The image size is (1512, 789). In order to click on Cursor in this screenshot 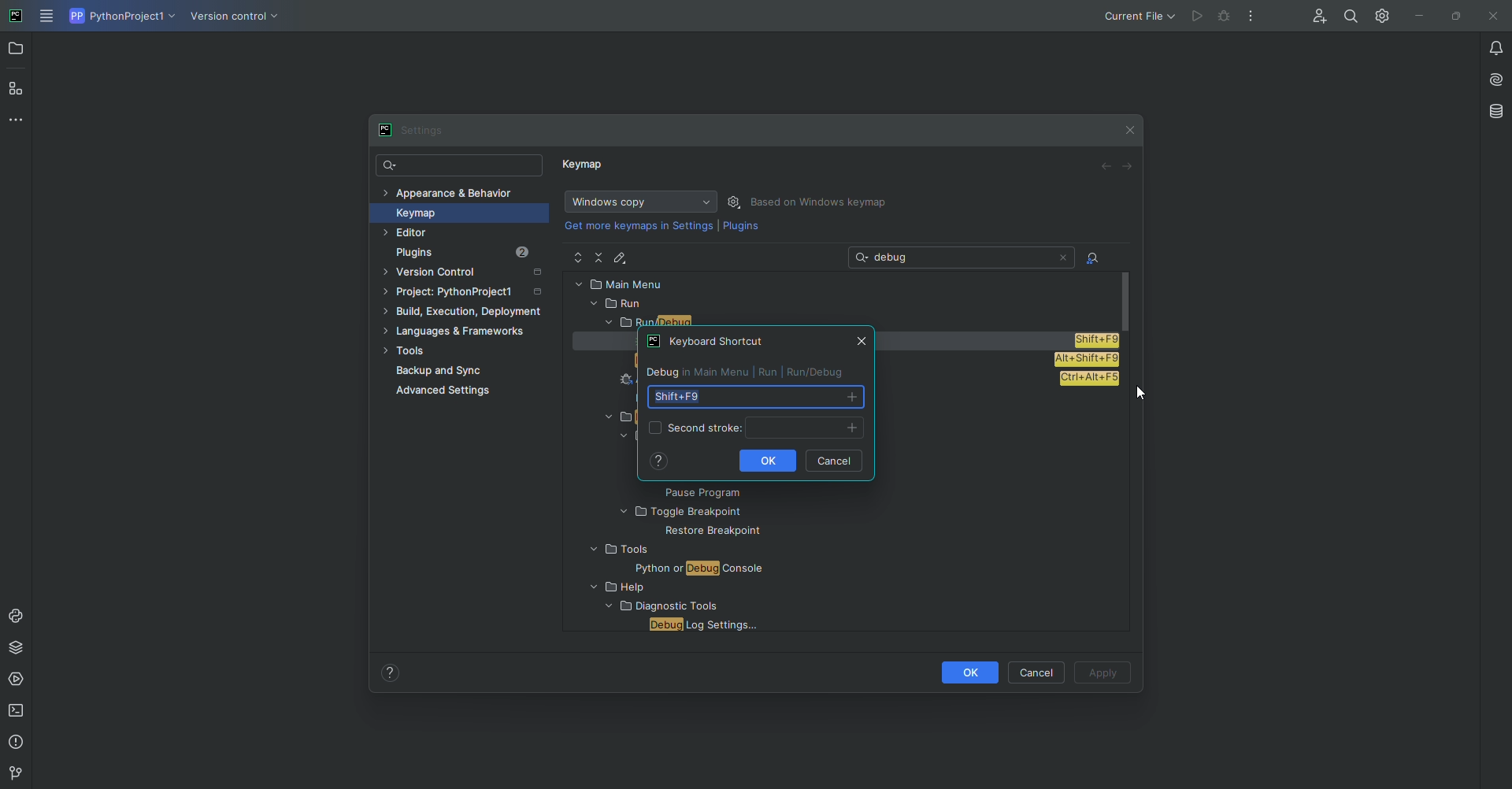, I will do `click(1139, 396)`.